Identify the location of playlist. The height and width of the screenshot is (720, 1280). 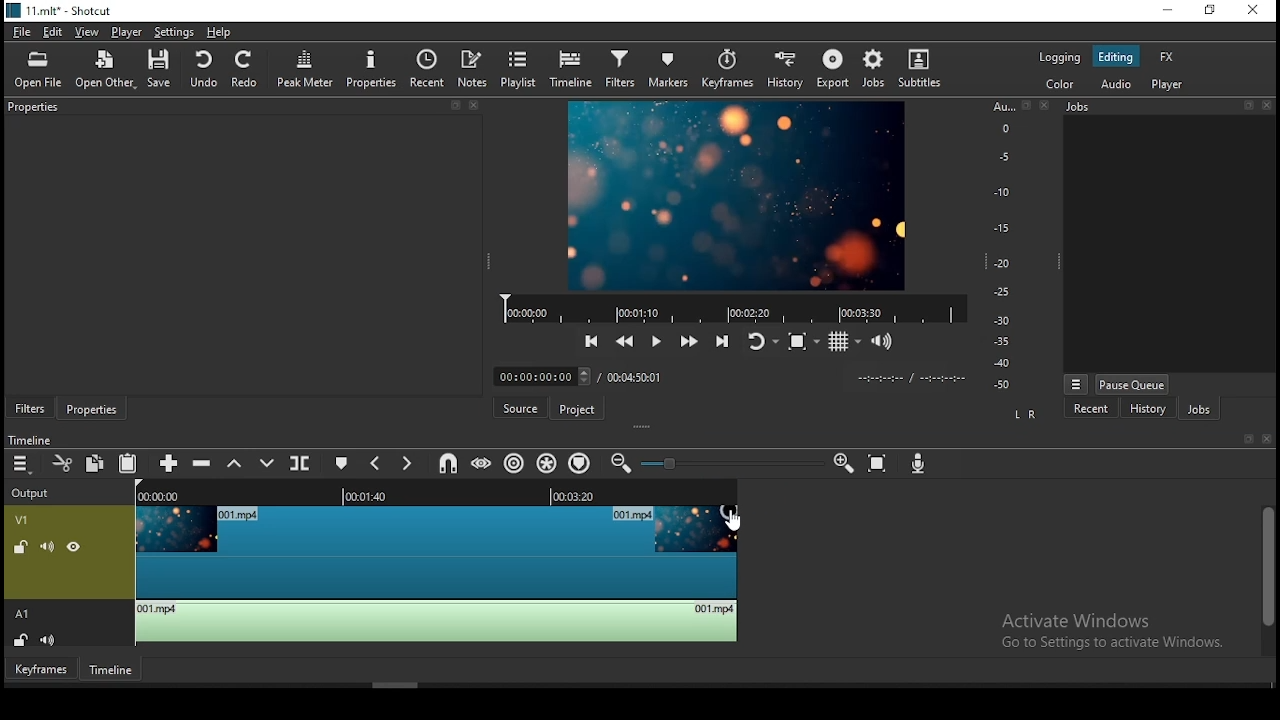
(522, 72).